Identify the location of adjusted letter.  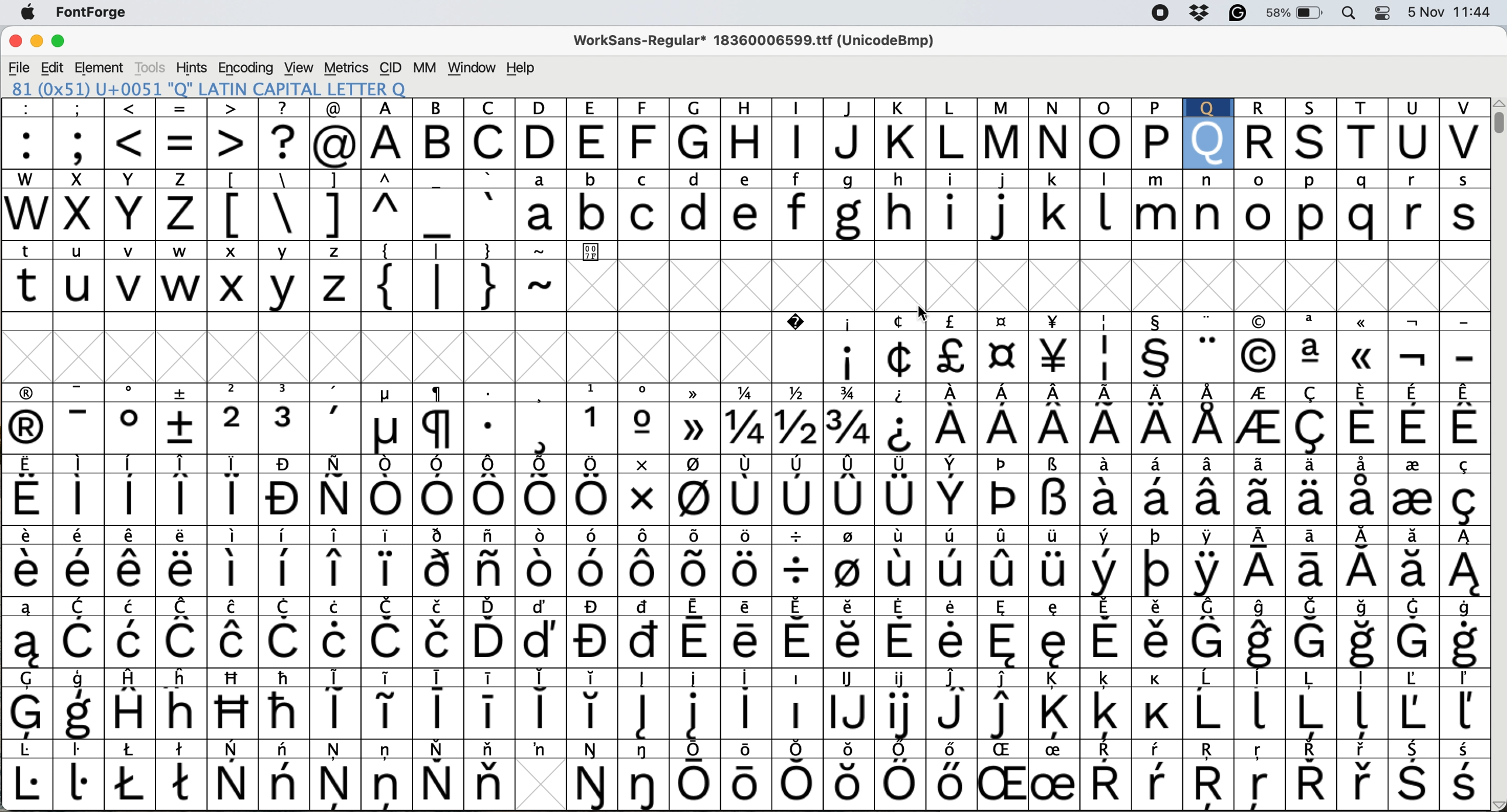
(1207, 144).